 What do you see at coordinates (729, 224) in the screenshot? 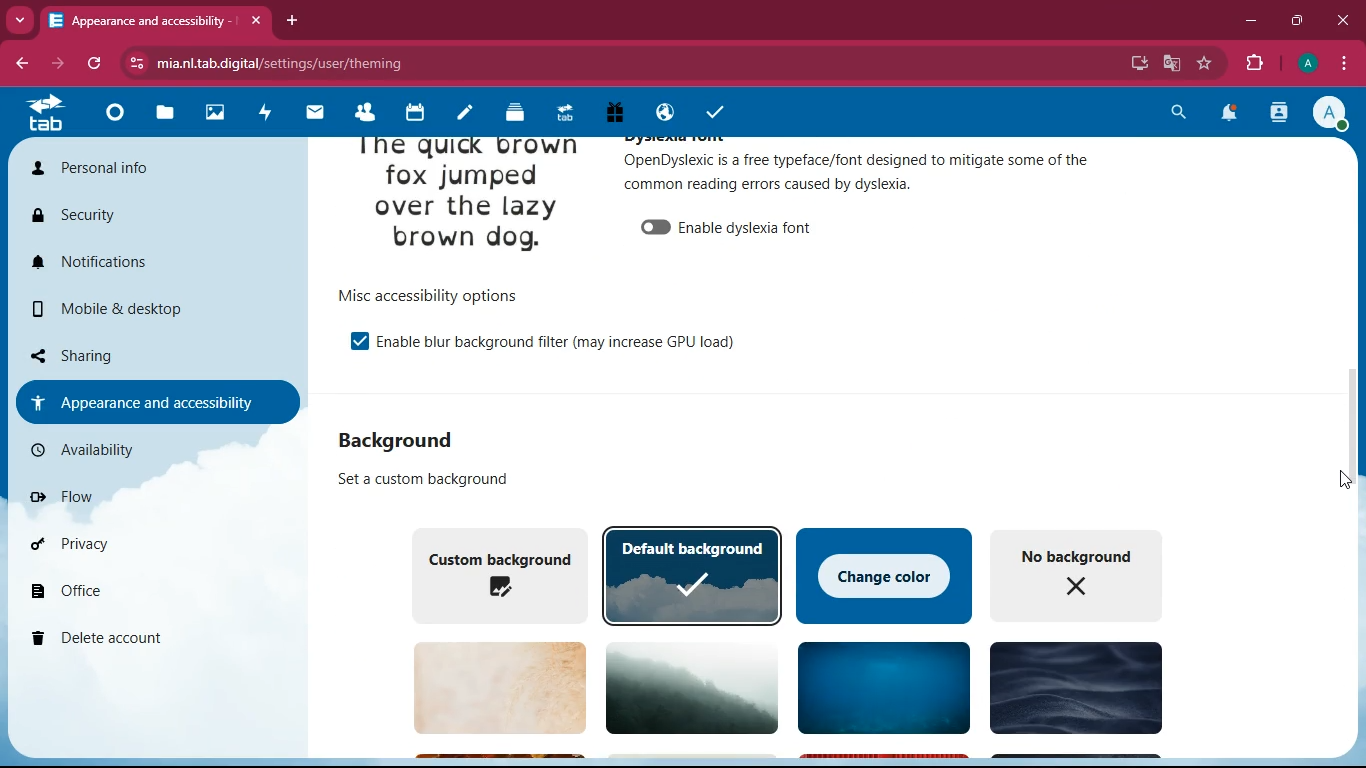
I see `enable` at bounding box center [729, 224].